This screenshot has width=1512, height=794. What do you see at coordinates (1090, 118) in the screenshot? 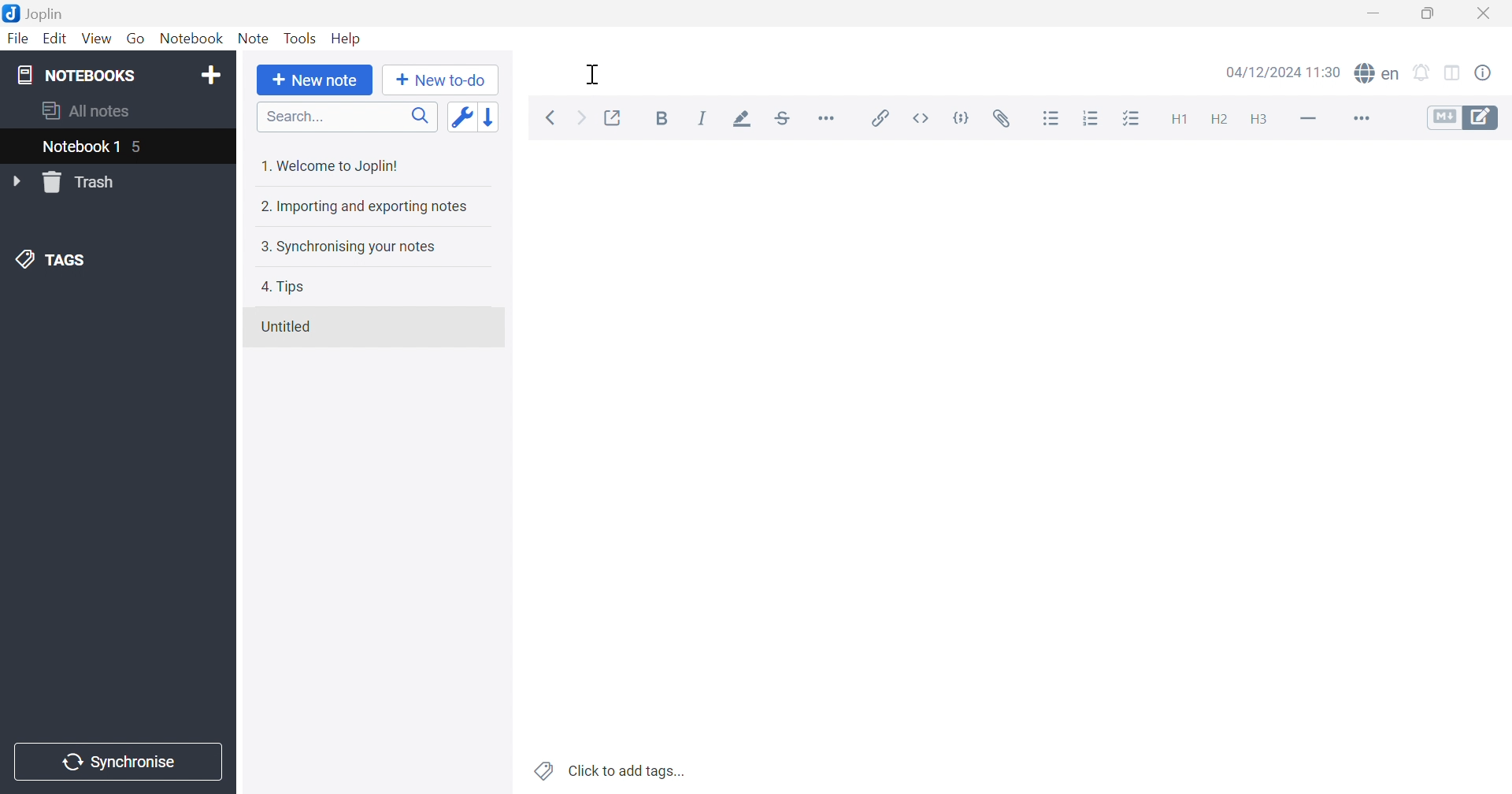
I see `Numbered list` at bounding box center [1090, 118].